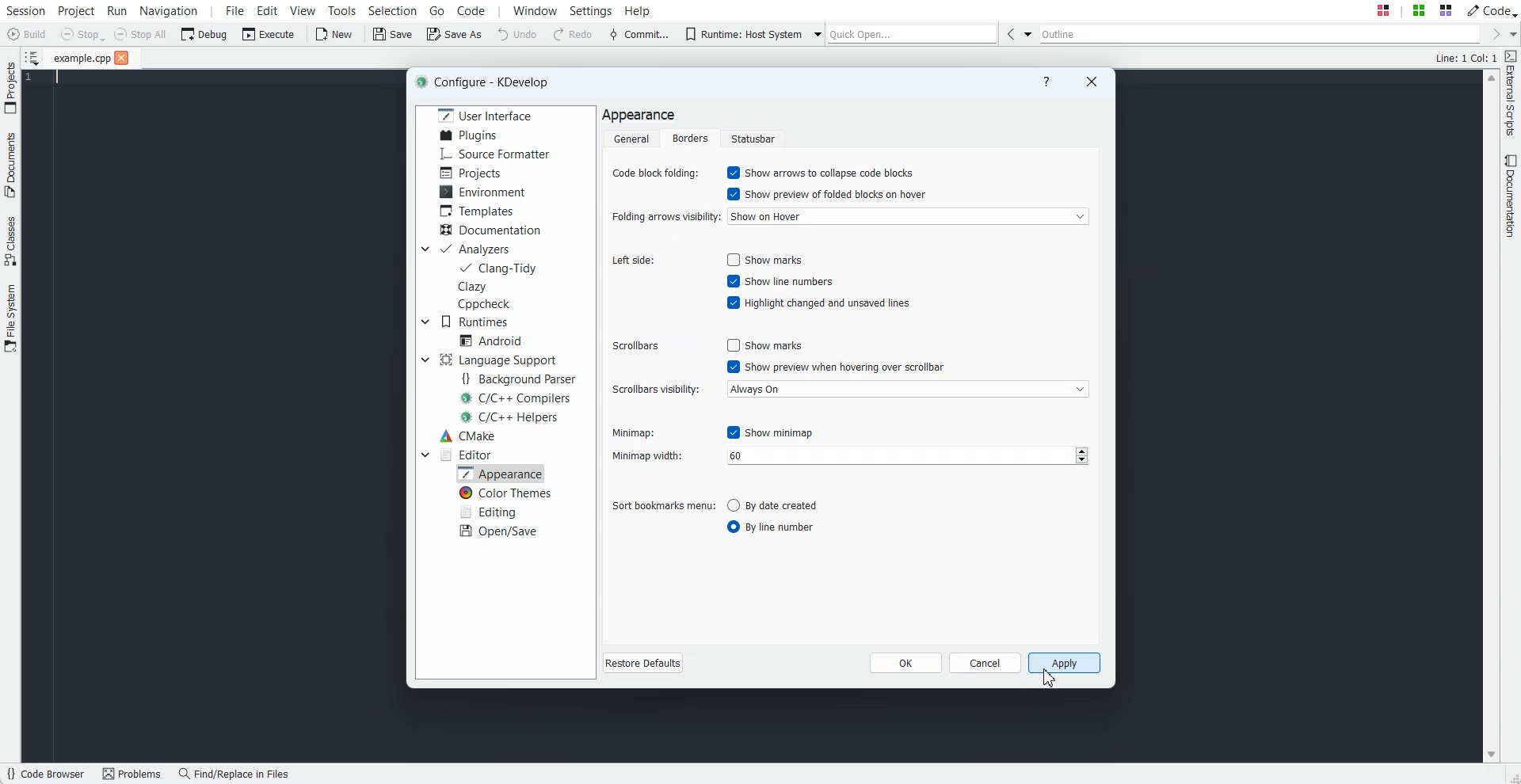  I want to click on Cppcheck, so click(483, 304).